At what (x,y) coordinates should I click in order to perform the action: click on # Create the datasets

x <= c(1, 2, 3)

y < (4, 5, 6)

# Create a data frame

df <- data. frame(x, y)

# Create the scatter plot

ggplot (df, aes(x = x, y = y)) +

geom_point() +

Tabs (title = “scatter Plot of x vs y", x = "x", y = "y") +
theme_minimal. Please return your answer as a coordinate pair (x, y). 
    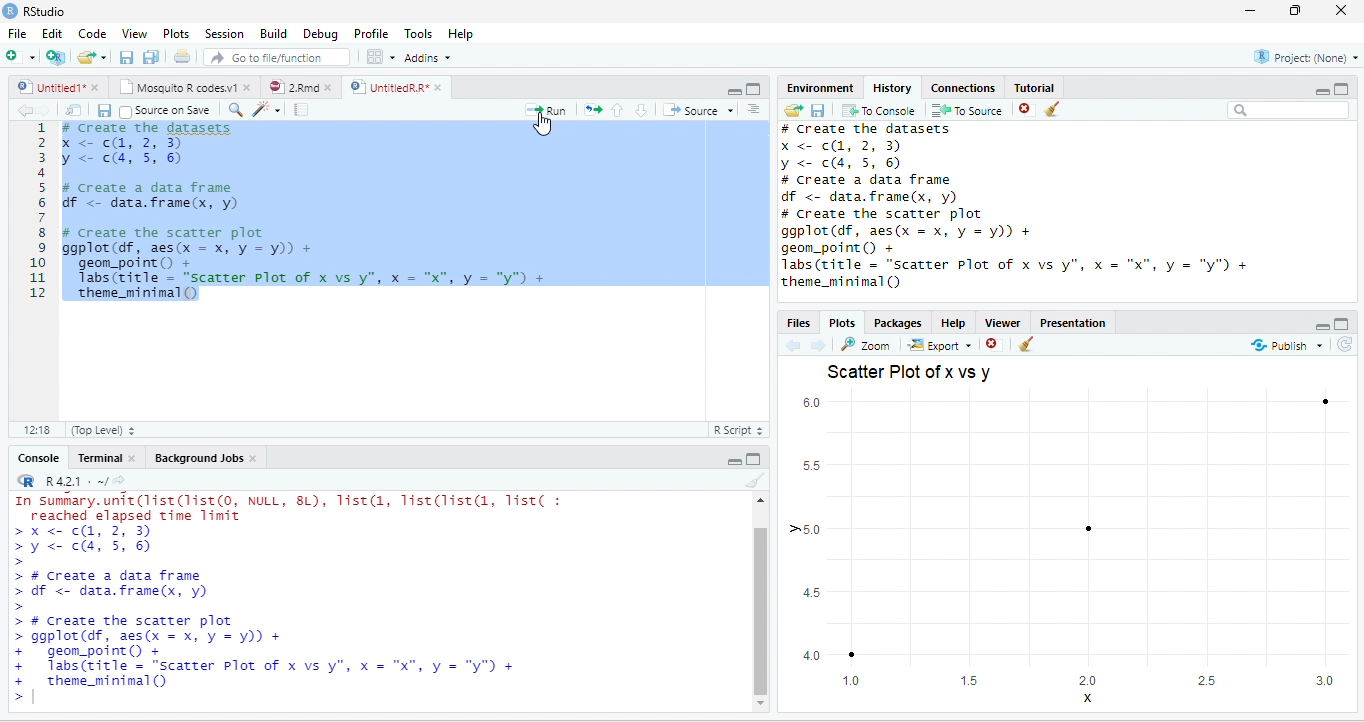
    Looking at the image, I should click on (1016, 207).